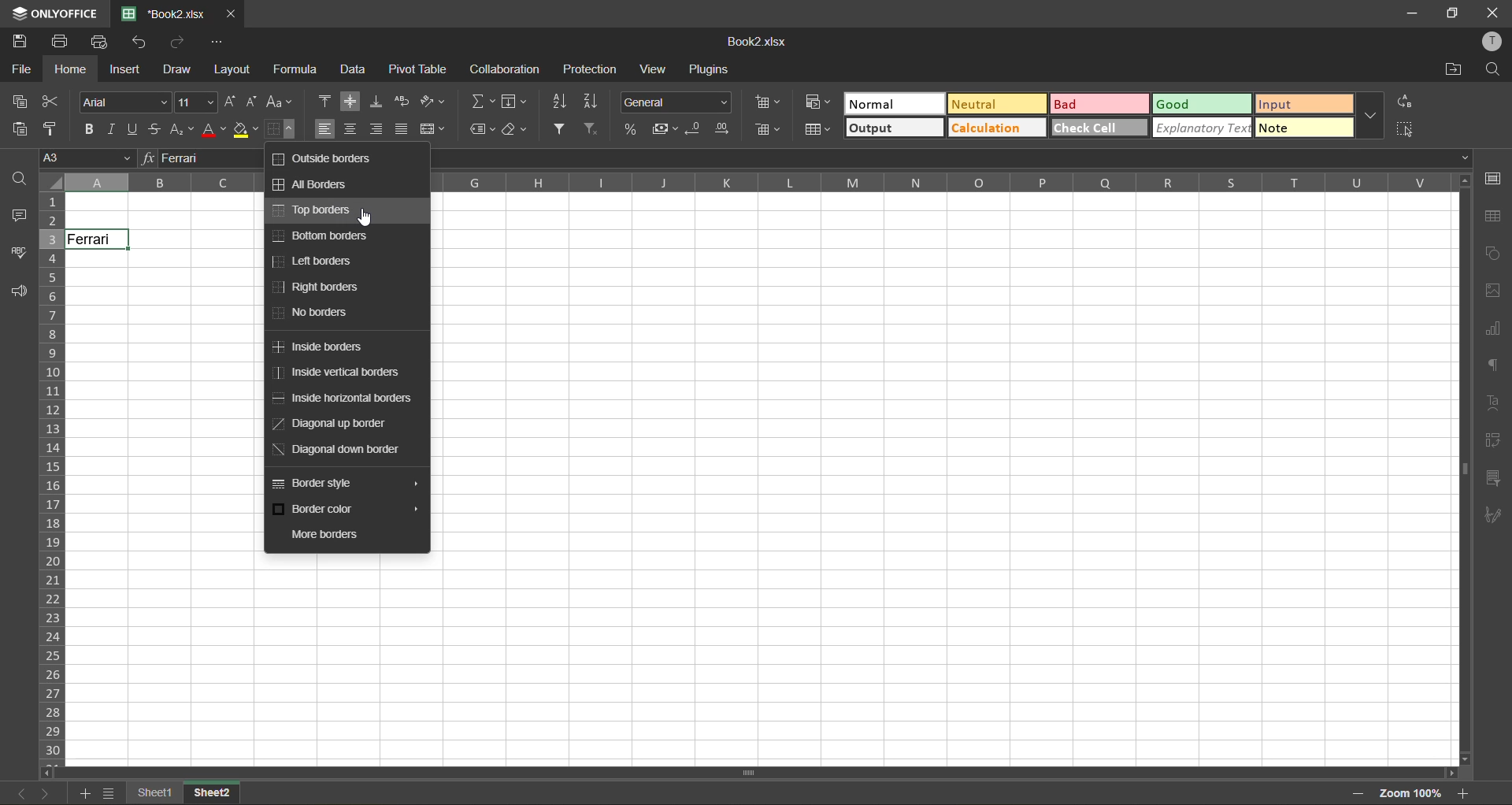 This screenshot has height=805, width=1512. Describe the element at coordinates (61, 39) in the screenshot. I see `print` at that location.